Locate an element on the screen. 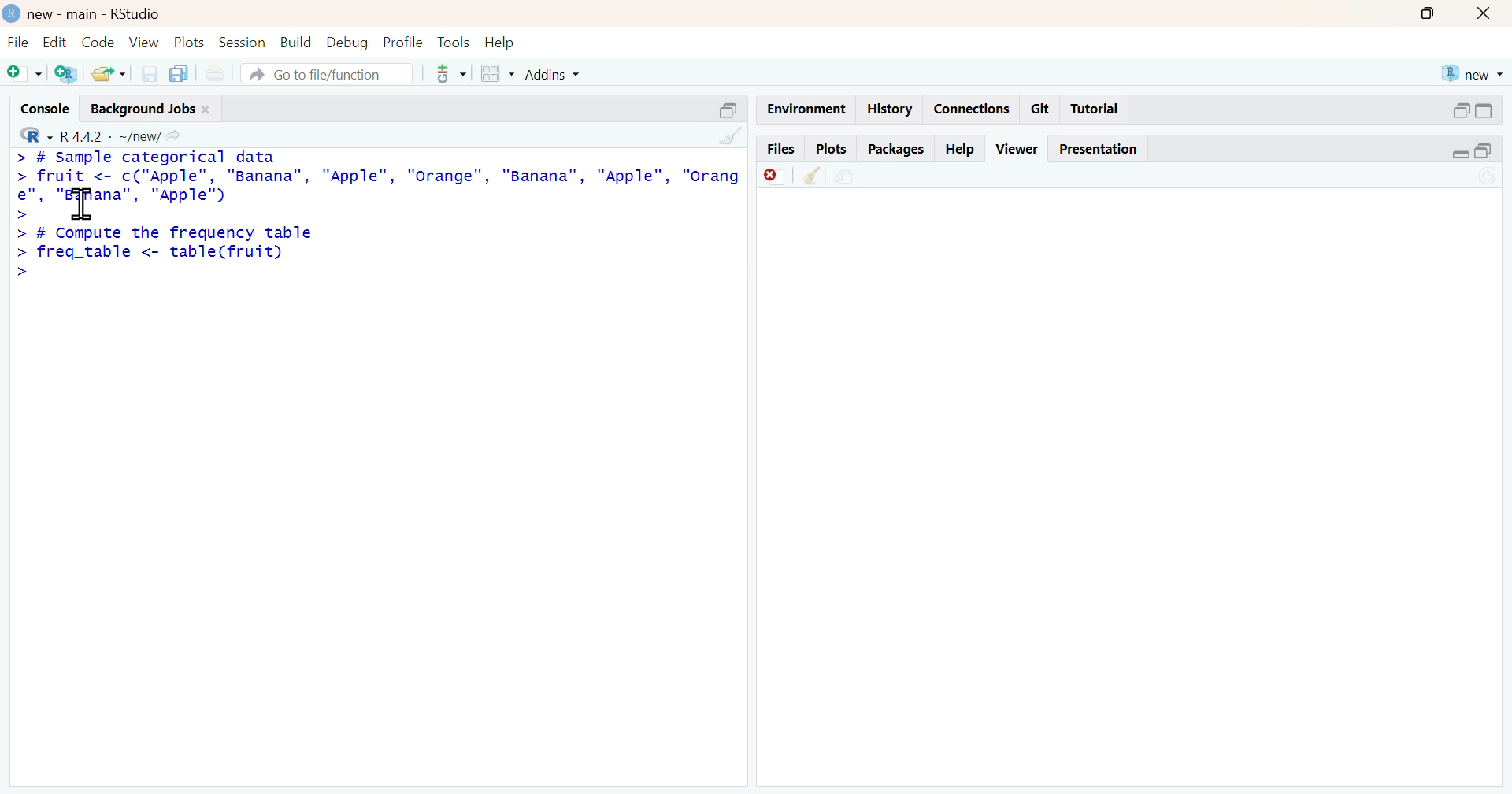 This screenshot has width=1512, height=794. help is located at coordinates (962, 149).